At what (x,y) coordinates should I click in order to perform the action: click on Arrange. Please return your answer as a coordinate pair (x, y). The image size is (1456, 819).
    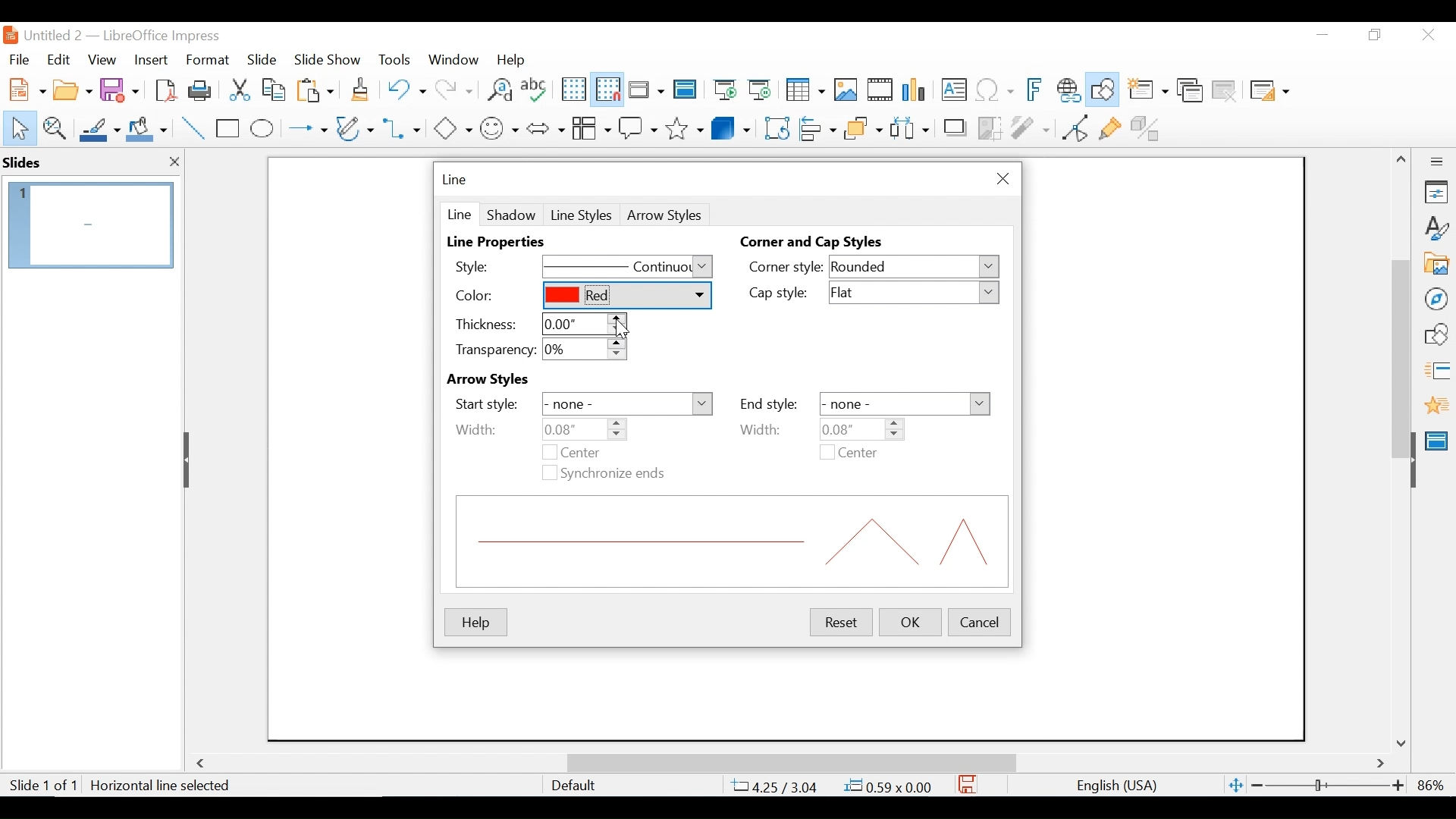
    Looking at the image, I should click on (861, 127).